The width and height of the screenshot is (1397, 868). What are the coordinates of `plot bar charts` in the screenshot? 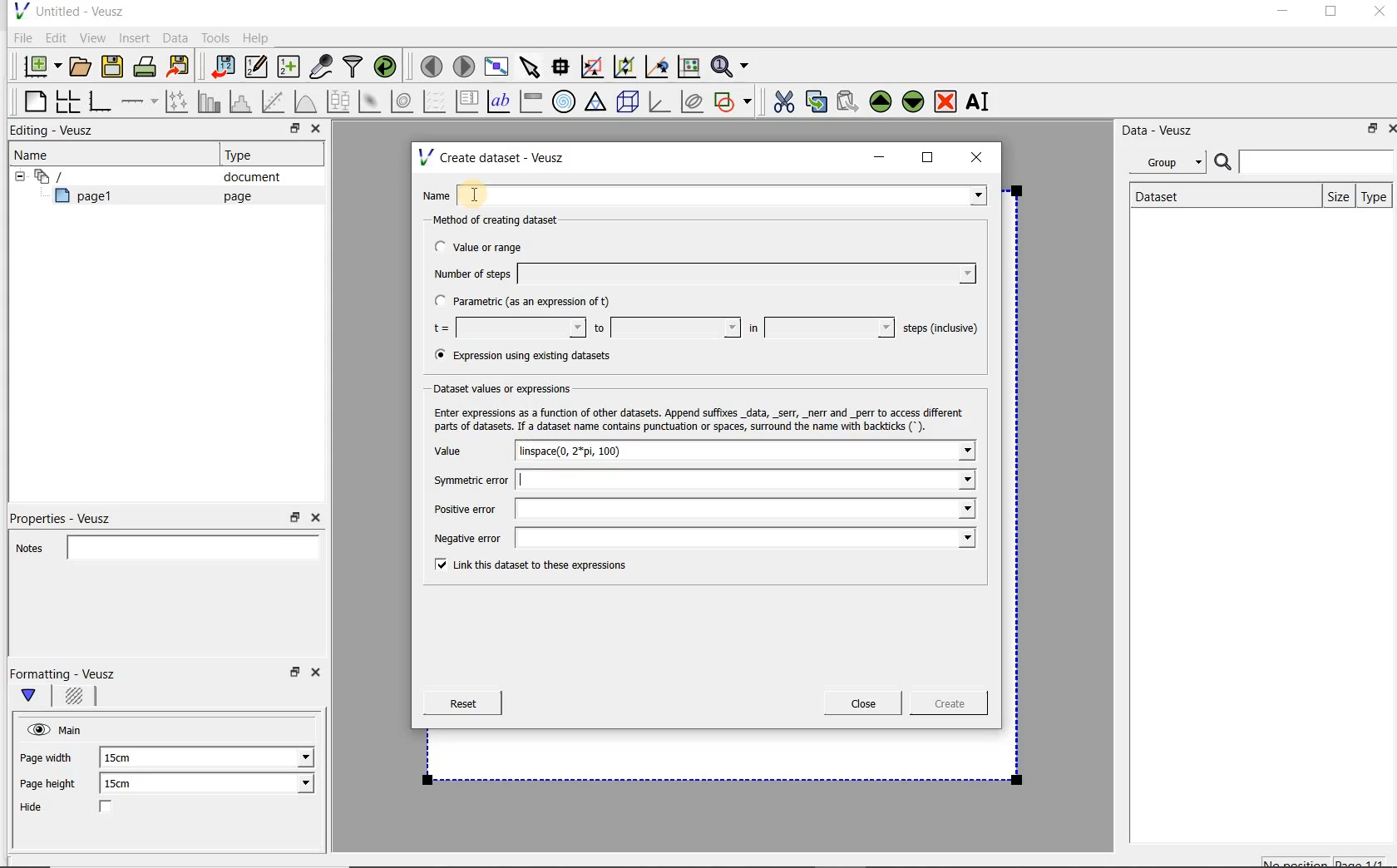 It's located at (210, 101).